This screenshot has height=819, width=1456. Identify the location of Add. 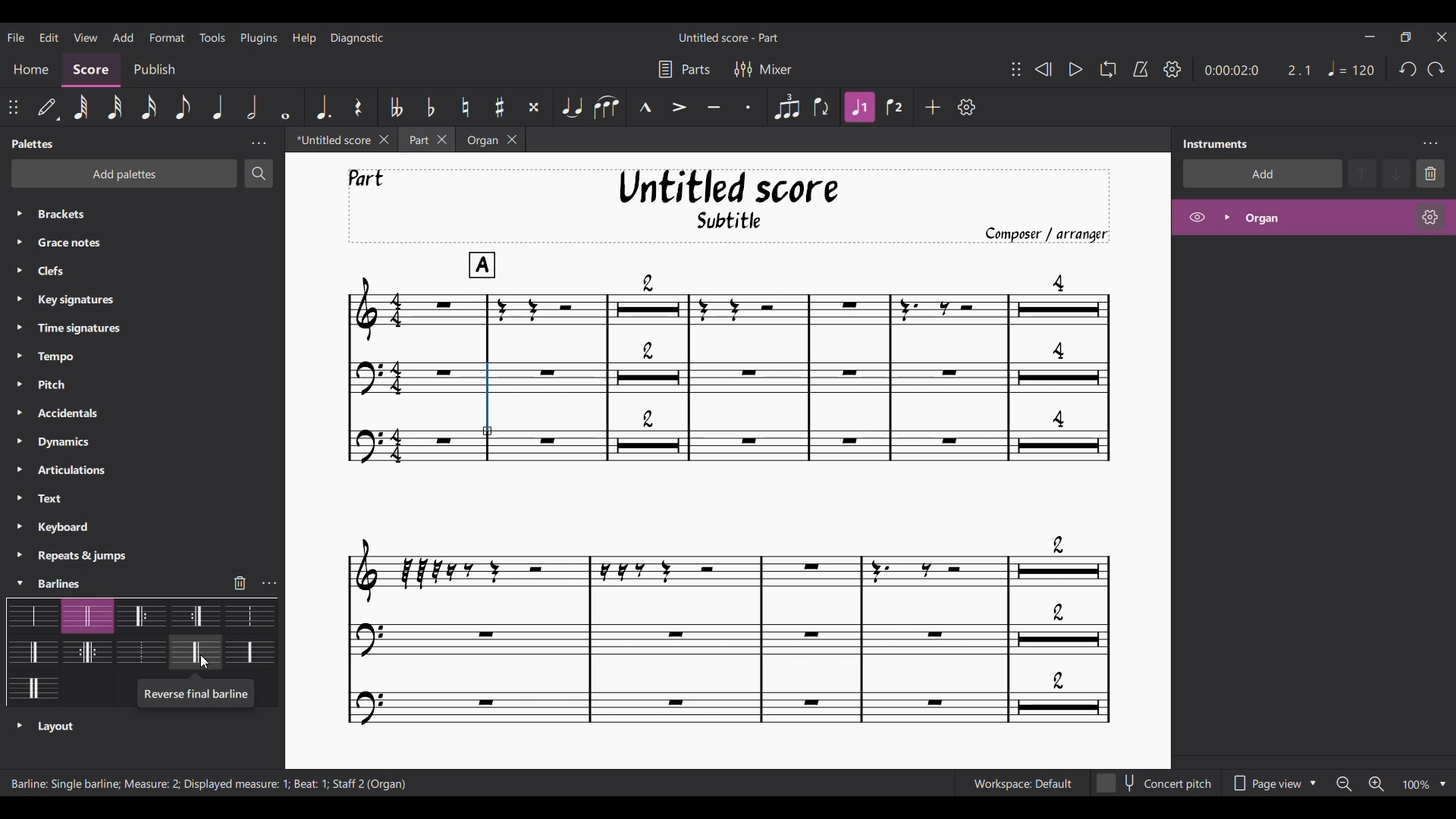
(933, 107).